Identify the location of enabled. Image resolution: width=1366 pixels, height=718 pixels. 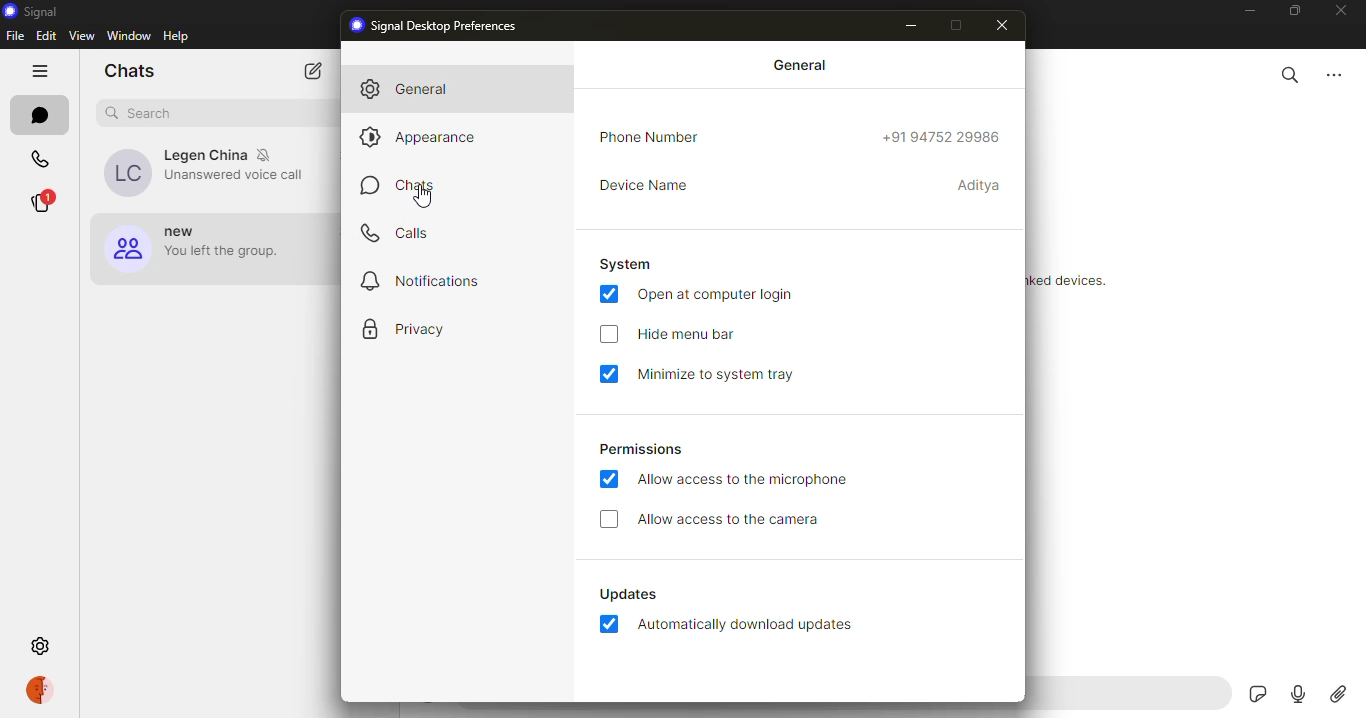
(609, 479).